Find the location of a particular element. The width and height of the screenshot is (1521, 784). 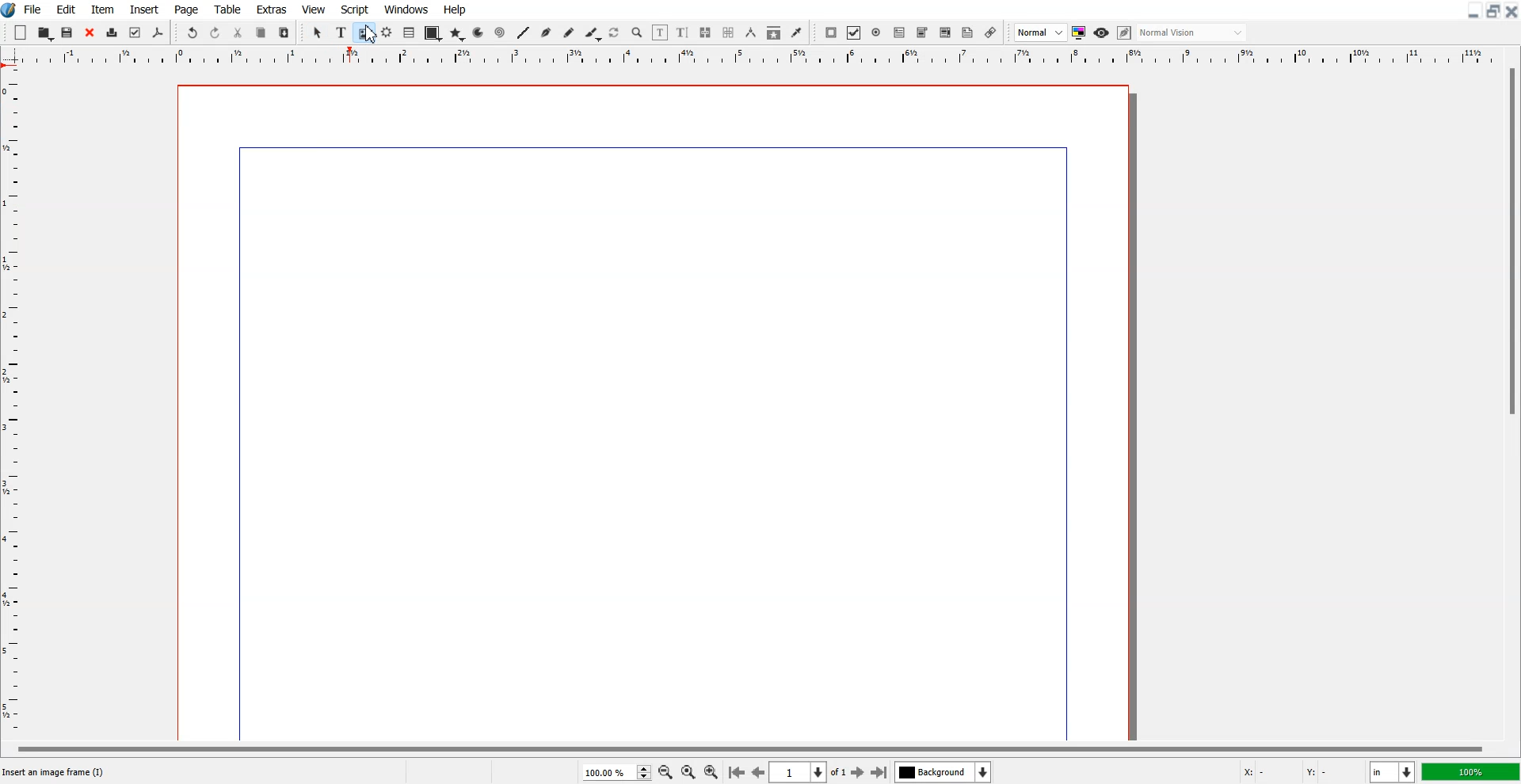

Cut is located at coordinates (238, 32).